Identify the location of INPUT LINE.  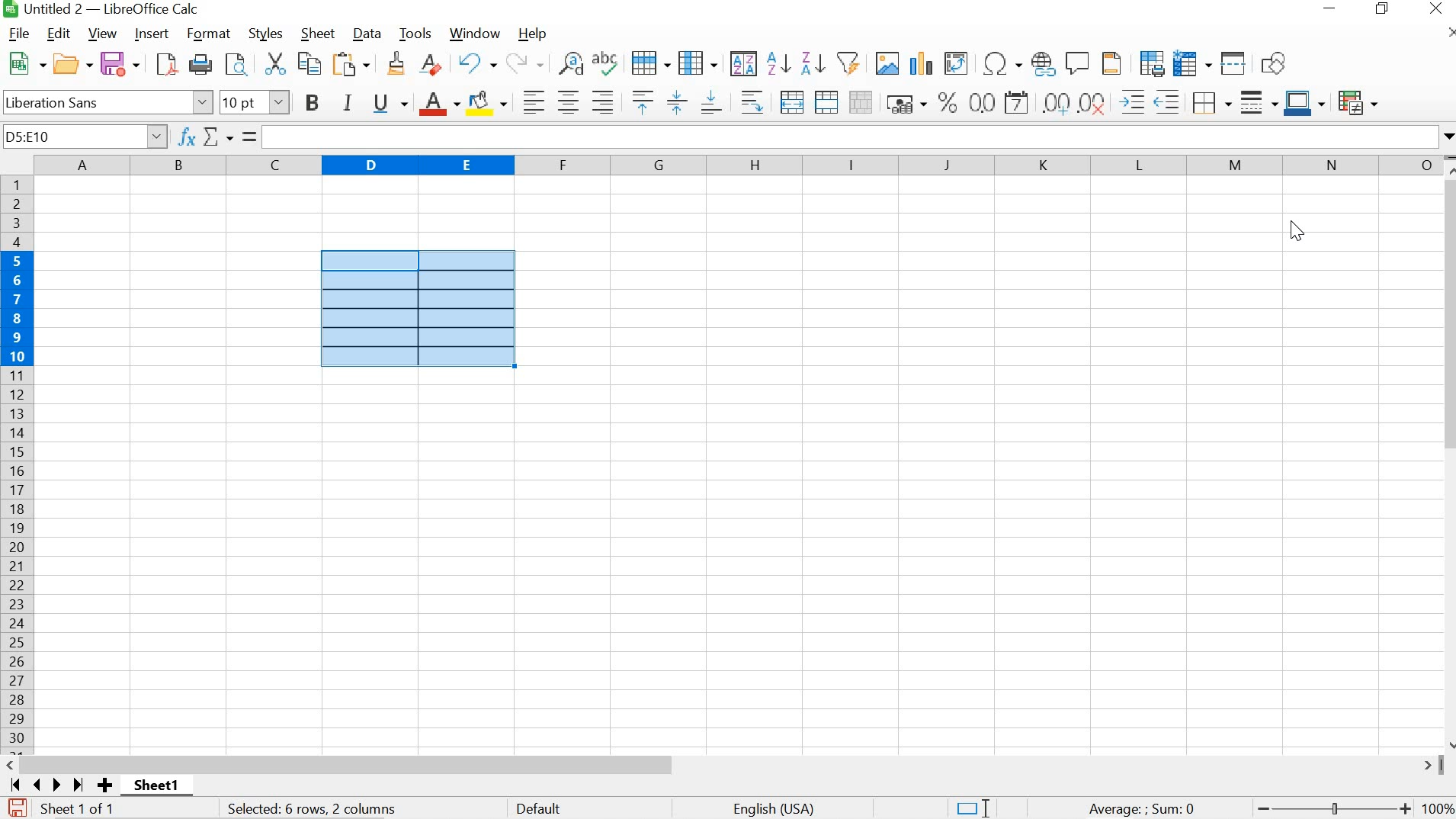
(859, 136).